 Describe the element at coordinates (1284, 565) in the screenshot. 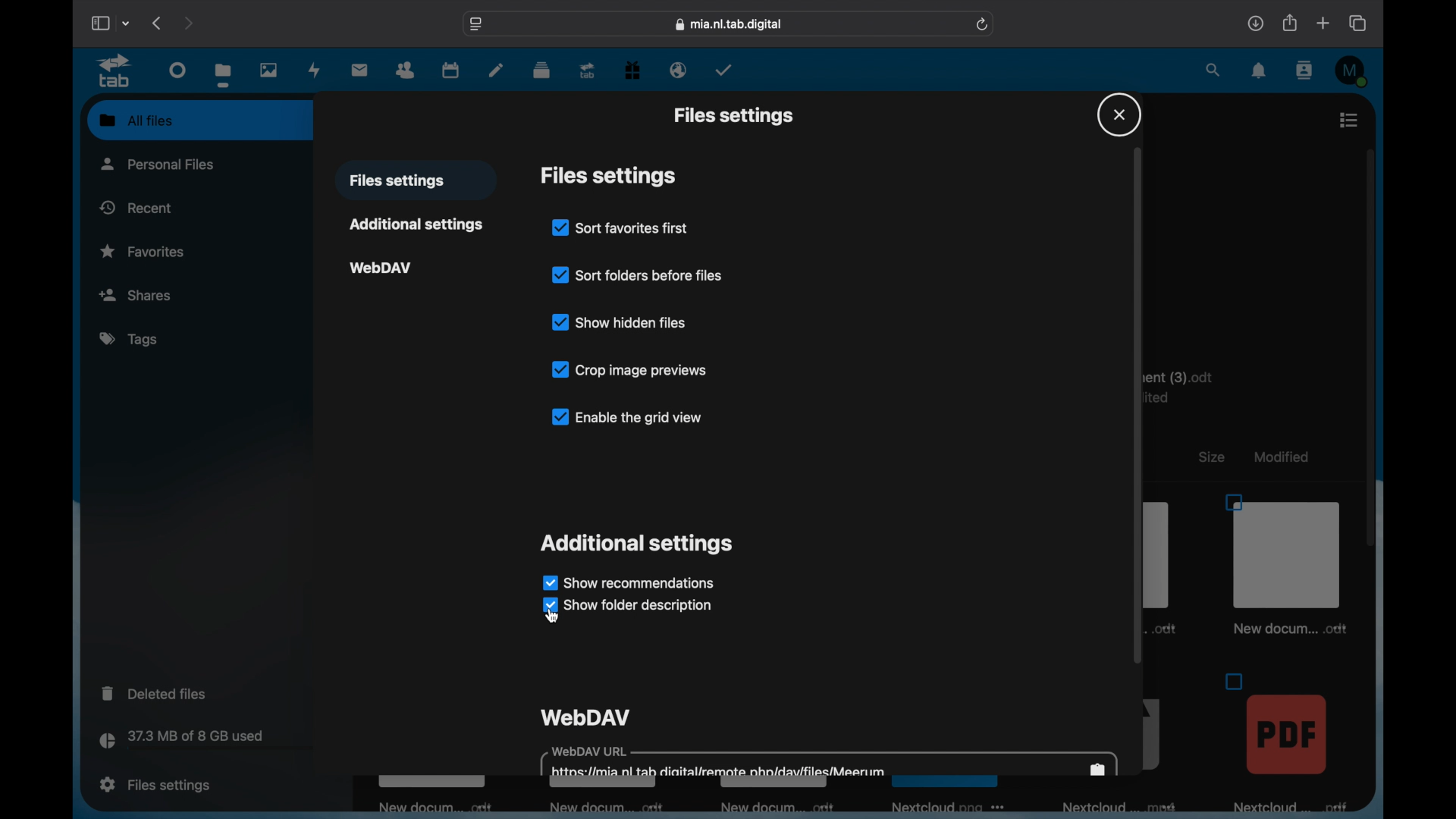

I see `file` at that location.